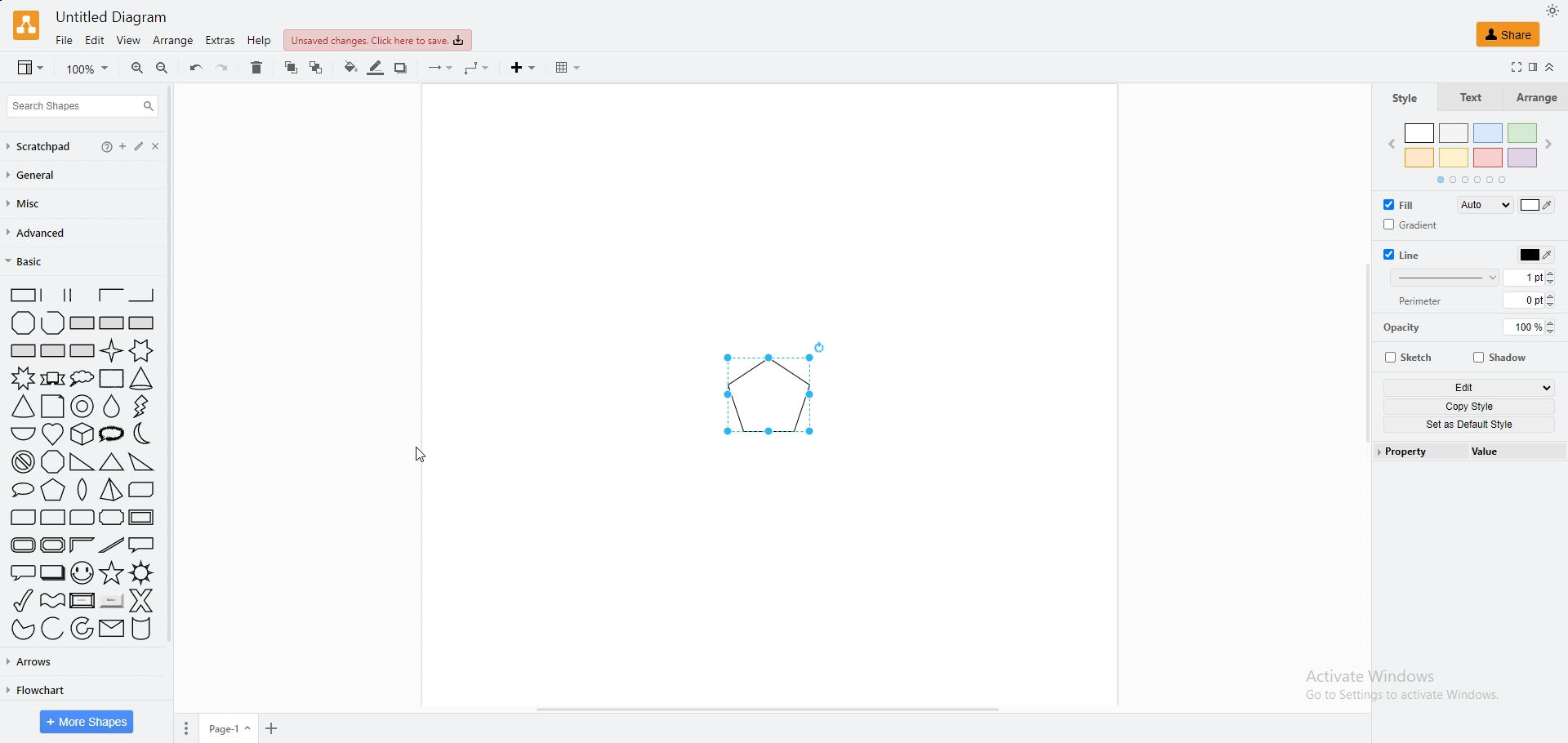  Describe the element at coordinates (1386, 146) in the screenshot. I see `previous colors` at that location.